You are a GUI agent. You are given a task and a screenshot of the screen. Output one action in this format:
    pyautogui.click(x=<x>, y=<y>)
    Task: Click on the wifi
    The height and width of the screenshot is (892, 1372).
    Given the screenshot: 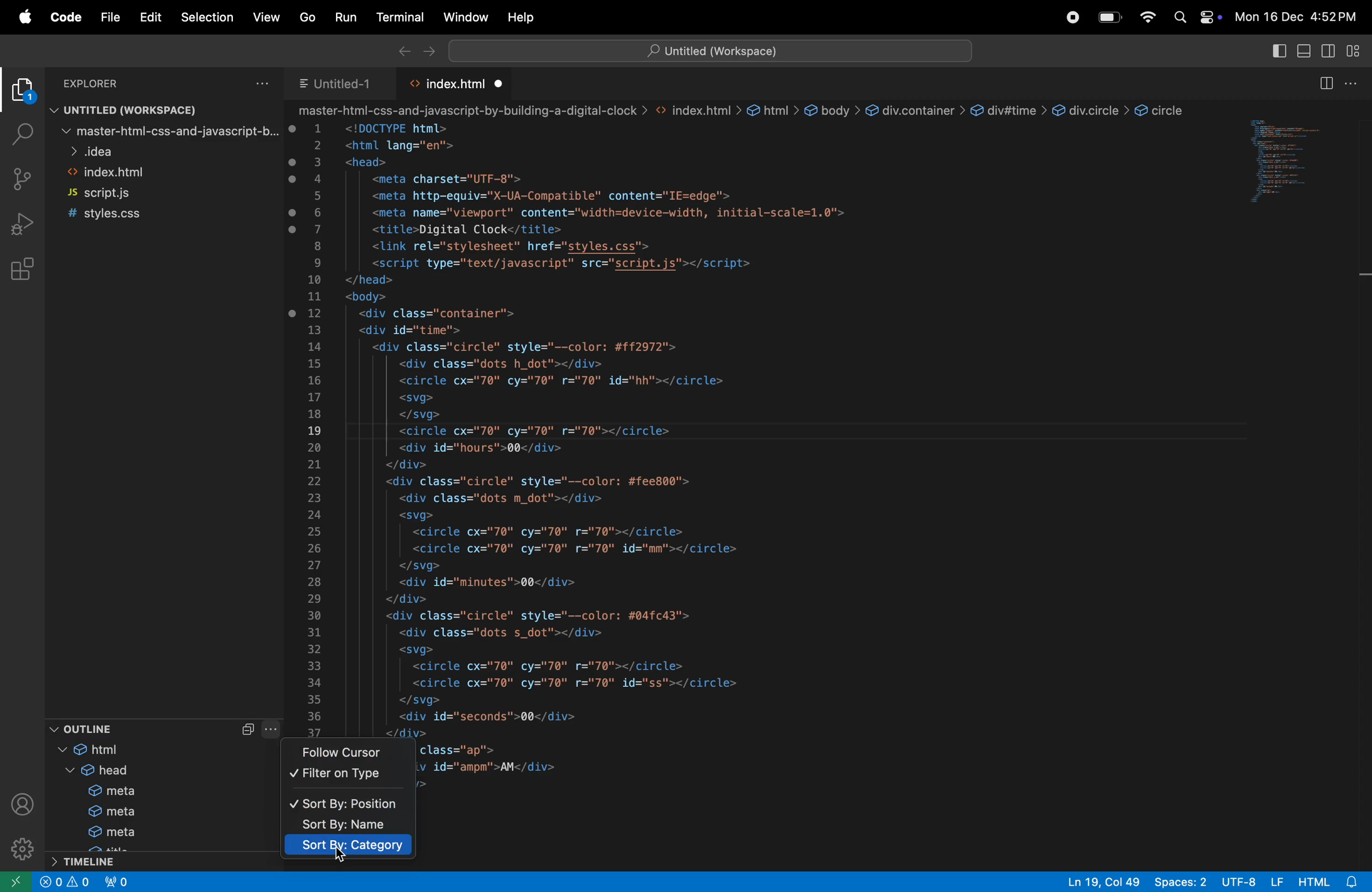 What is the action you would take?
    pyautogui.click(x=1152, y=17)
    